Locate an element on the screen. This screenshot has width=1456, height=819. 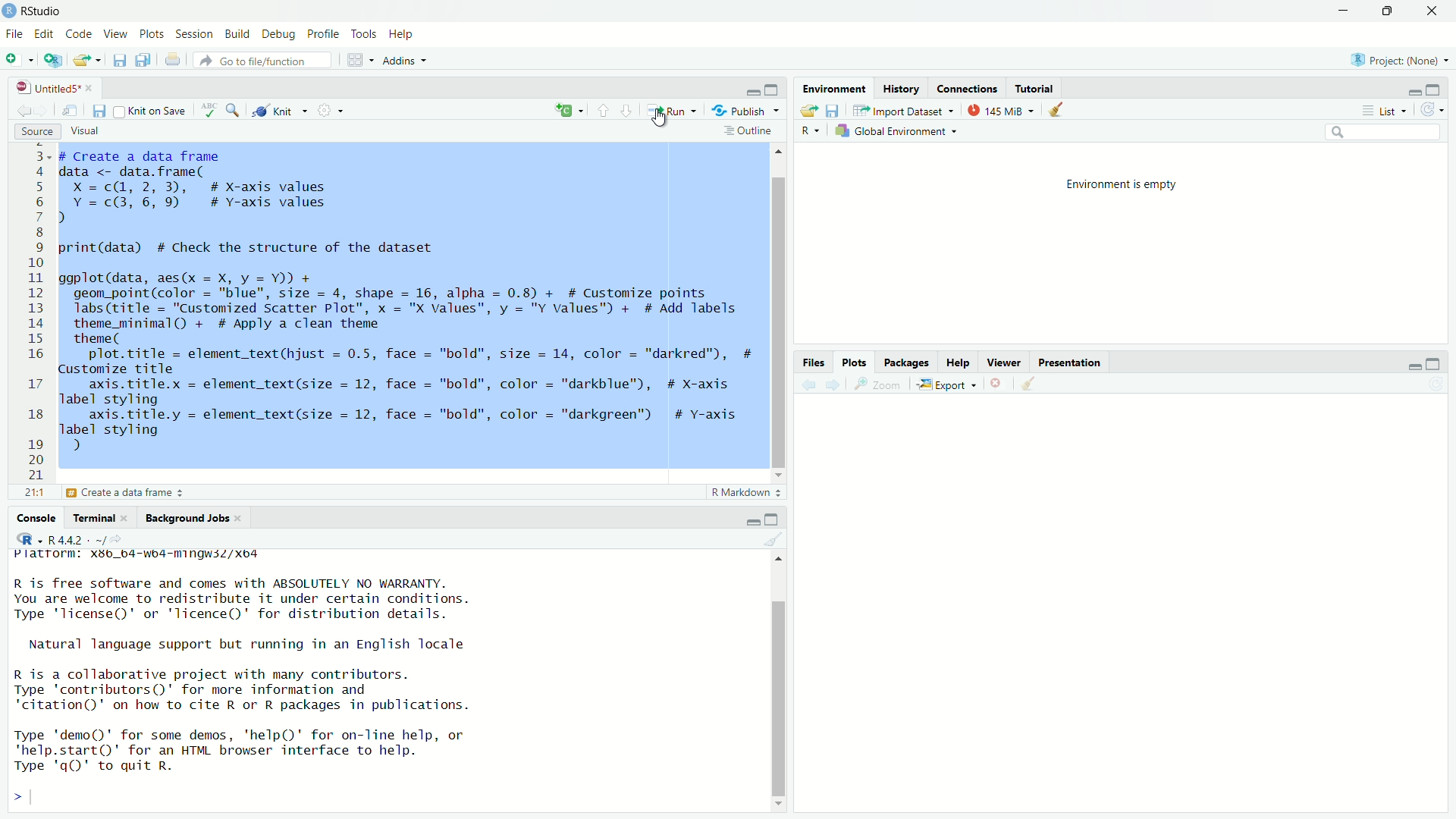
debug is located at coordinates (237, 33).